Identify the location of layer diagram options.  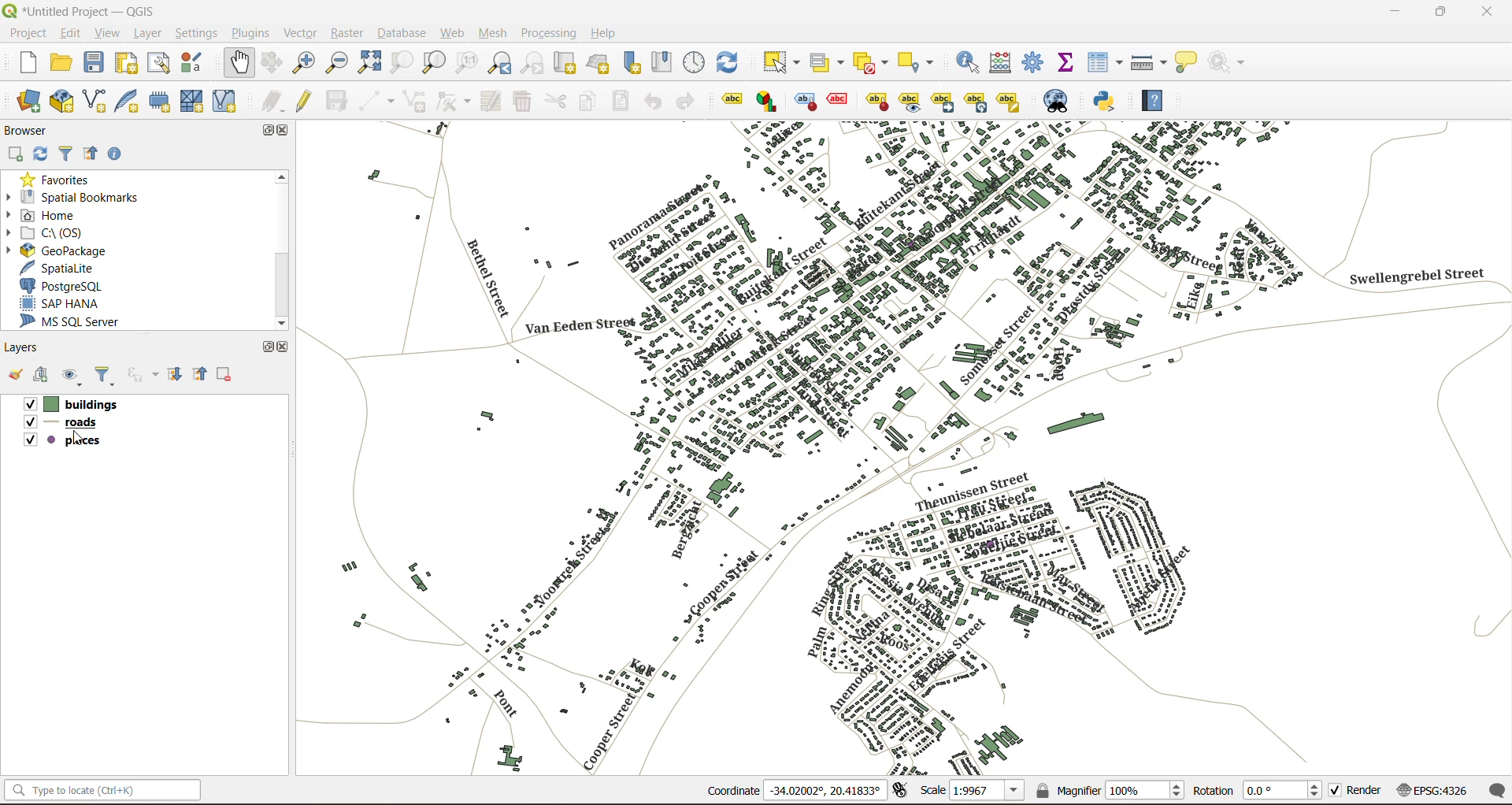
(768, 101).